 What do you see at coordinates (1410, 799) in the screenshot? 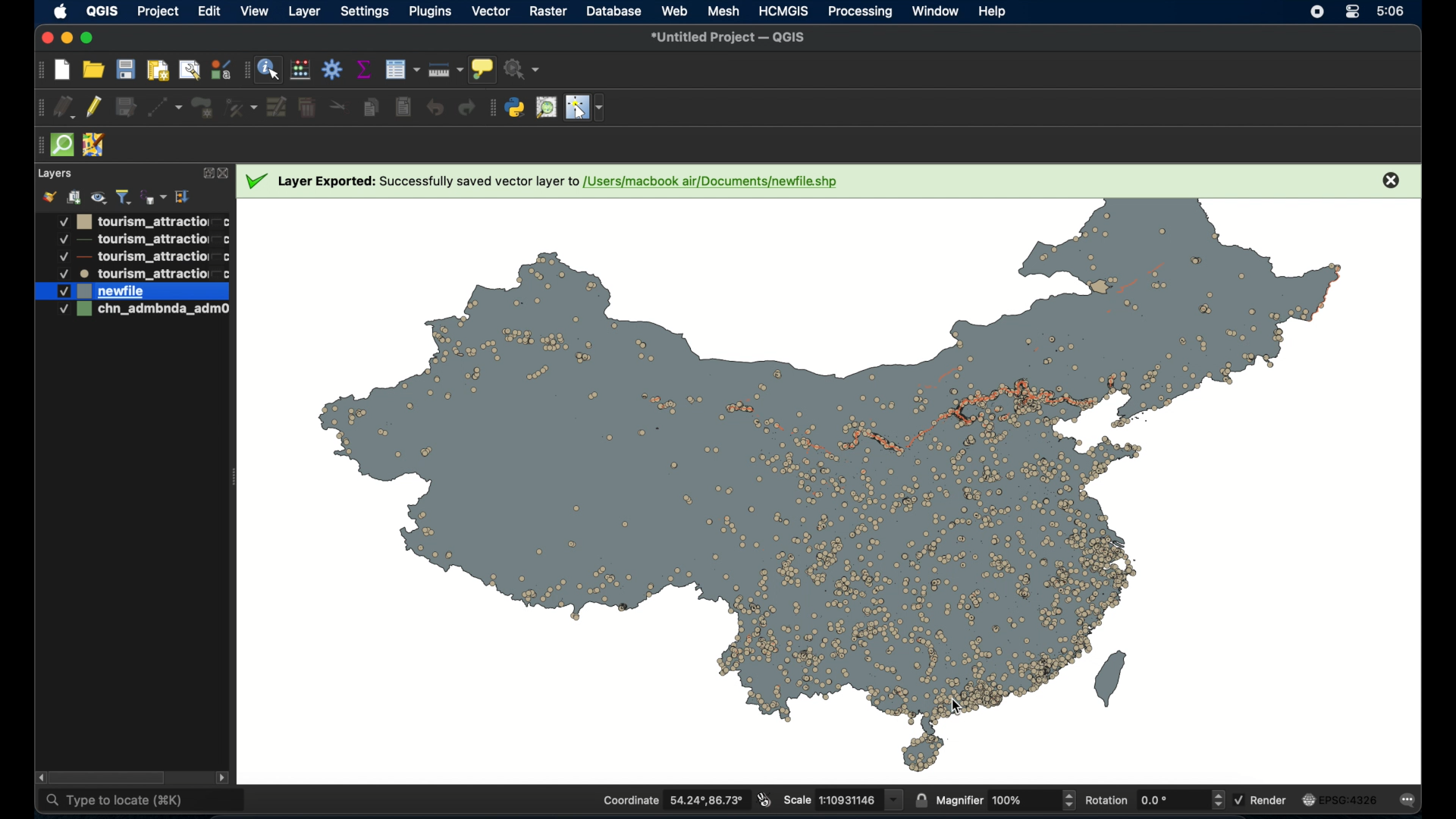
I see `messages` at bounding box center [1410, 799].